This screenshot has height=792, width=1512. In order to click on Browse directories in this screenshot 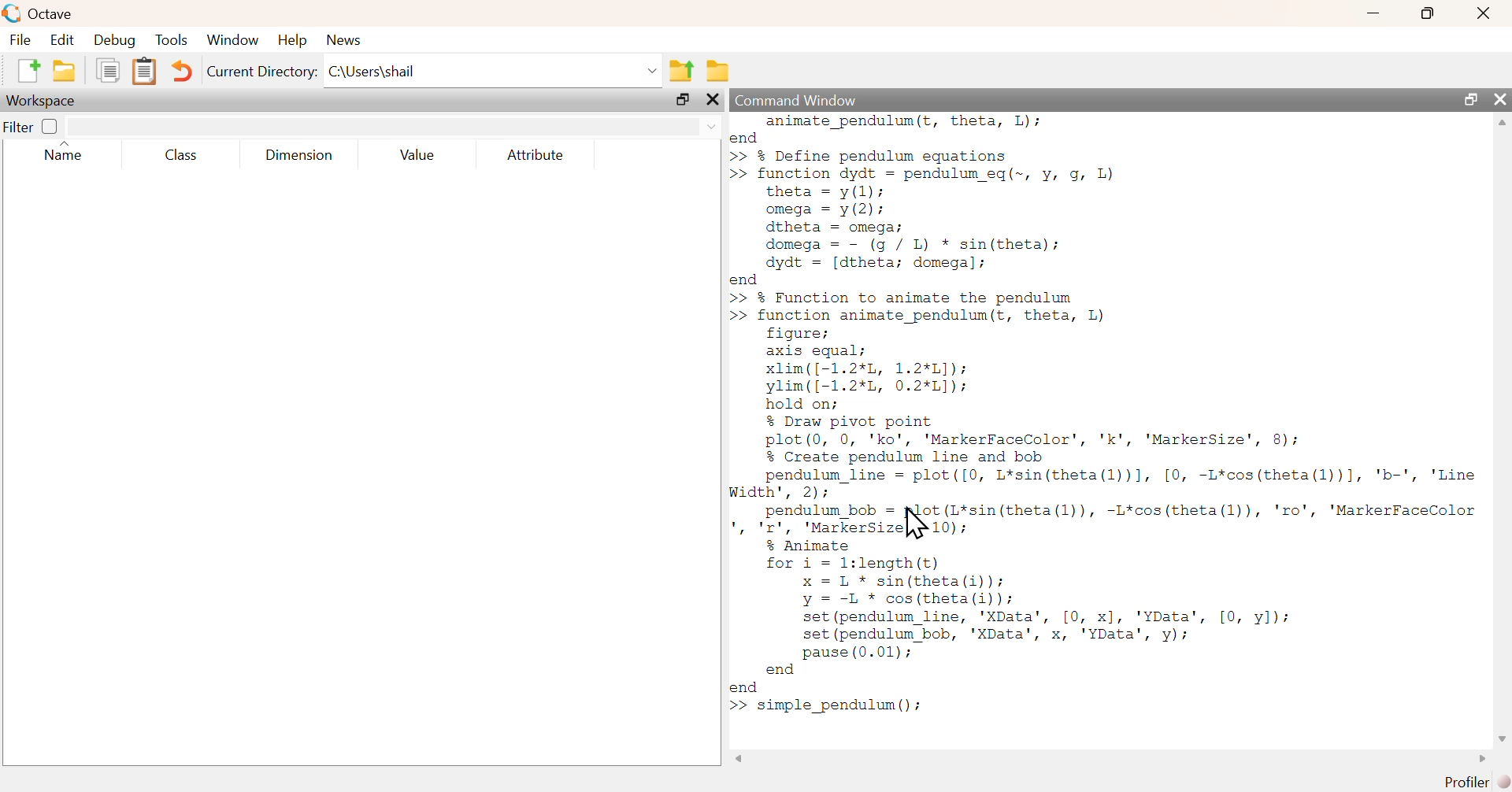, I will do `click(718, 71)`.